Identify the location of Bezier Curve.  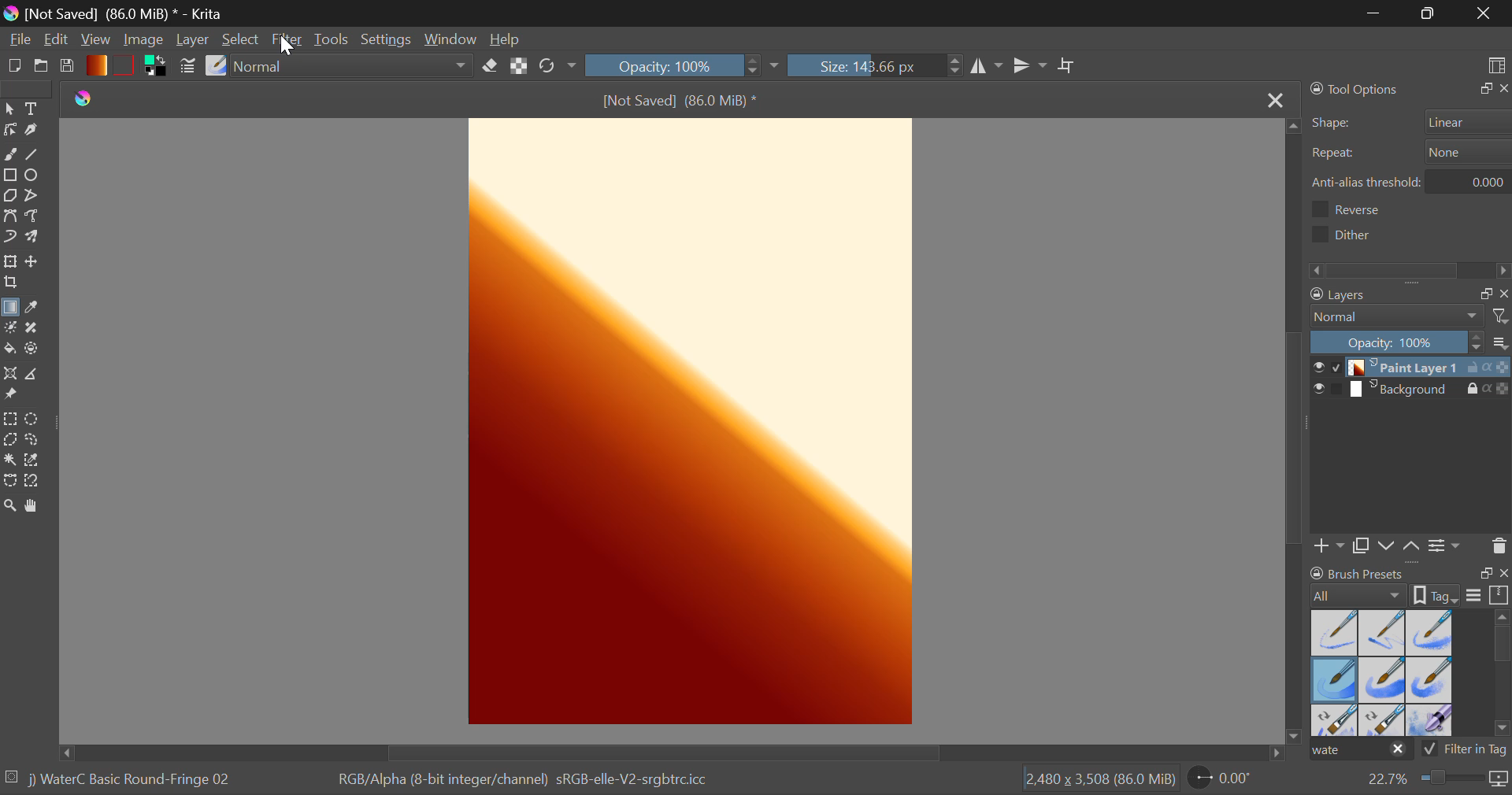
(9, 216).